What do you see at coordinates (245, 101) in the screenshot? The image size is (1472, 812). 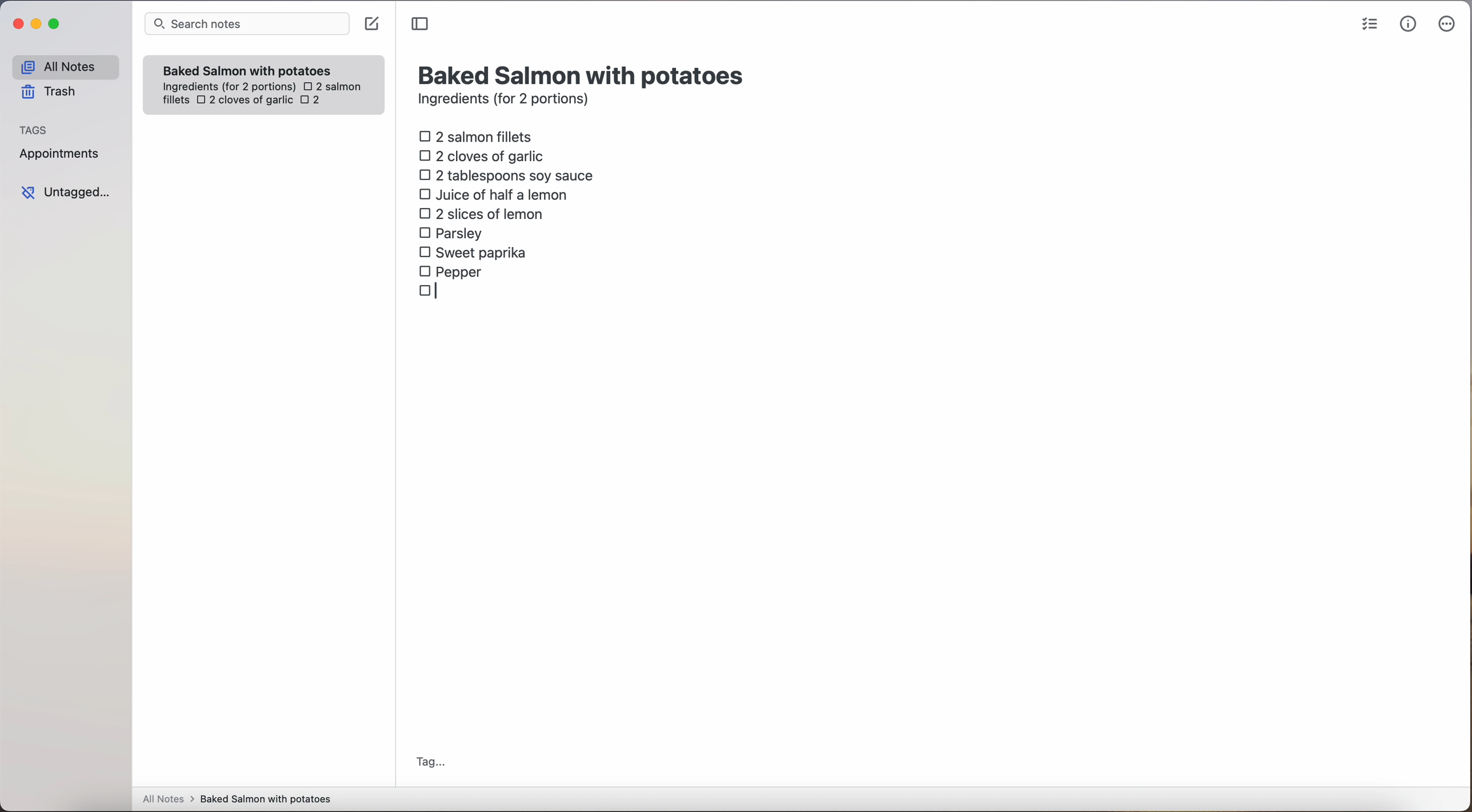 I see `2 cloves of garlic` at bounding box center [245, 101].